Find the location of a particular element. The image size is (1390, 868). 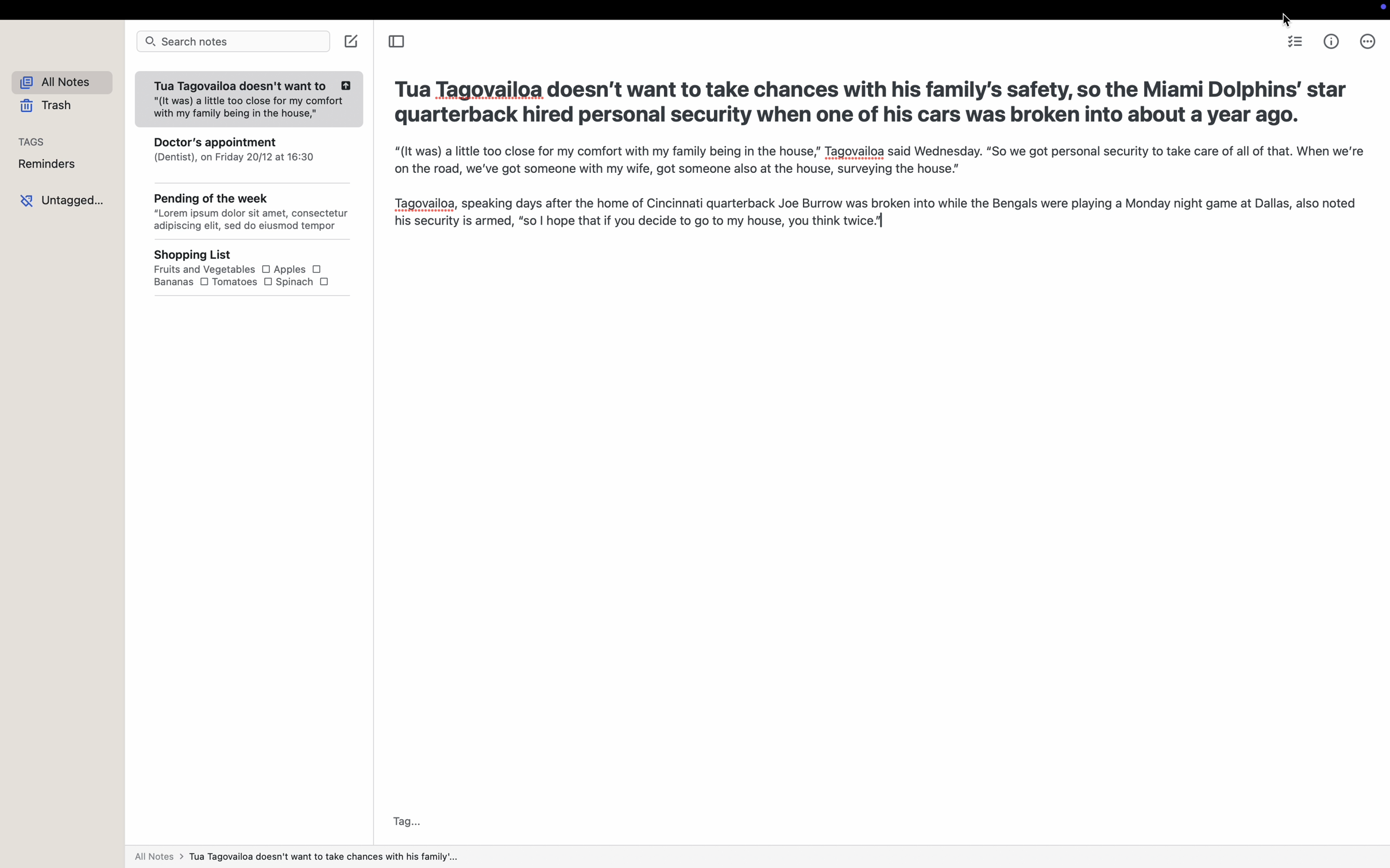

Tagovalloa, speaking days after the home of Cincinnati quarterback Joe Burrow was broken into while the Bengals were playing a Monday night game at Dallas, also noted
his security is armed, “so | hope that if you decide to go to my house, you think twice| is located at coordinates (872, 213).